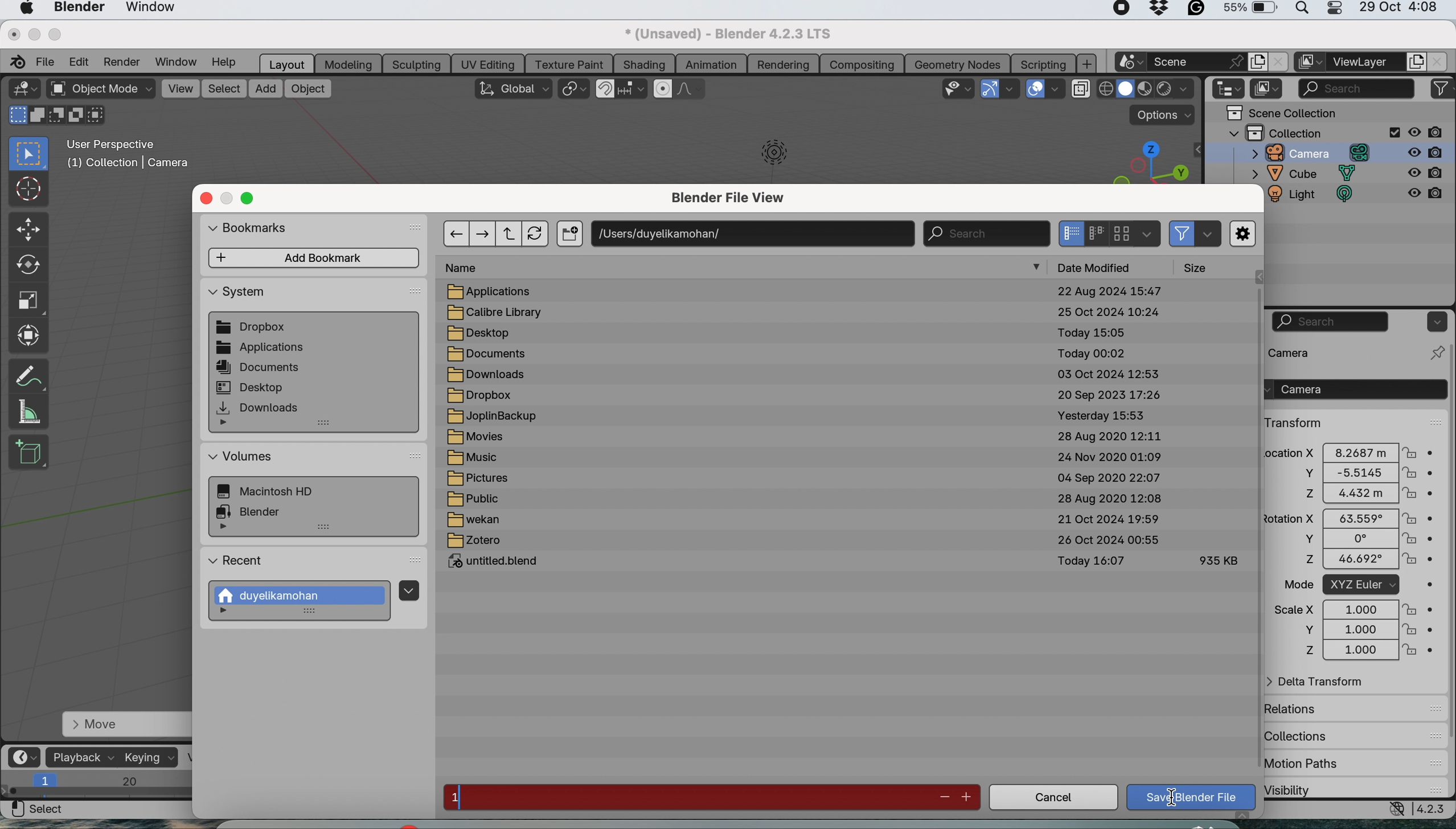 This screenshot has height=829, width=1456. What do you see at coordinates (134, 157) in the screenshot?
I see `User Perspective
(1) Collection | Camera` at bounding box center [134, 157].